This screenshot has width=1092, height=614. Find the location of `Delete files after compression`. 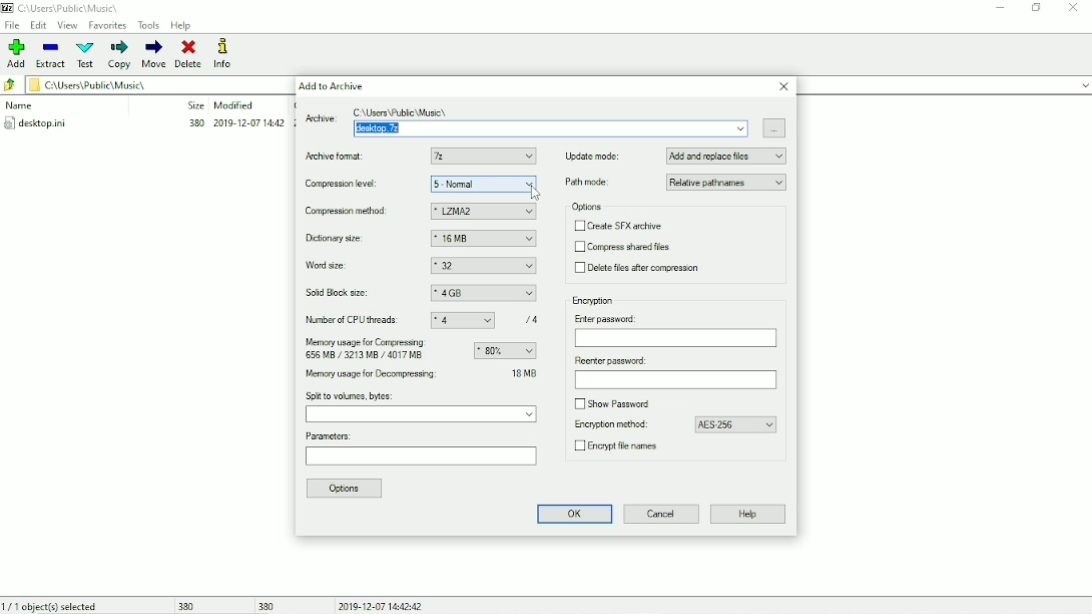

Delete files after compression is located at coordinates (640, 268).